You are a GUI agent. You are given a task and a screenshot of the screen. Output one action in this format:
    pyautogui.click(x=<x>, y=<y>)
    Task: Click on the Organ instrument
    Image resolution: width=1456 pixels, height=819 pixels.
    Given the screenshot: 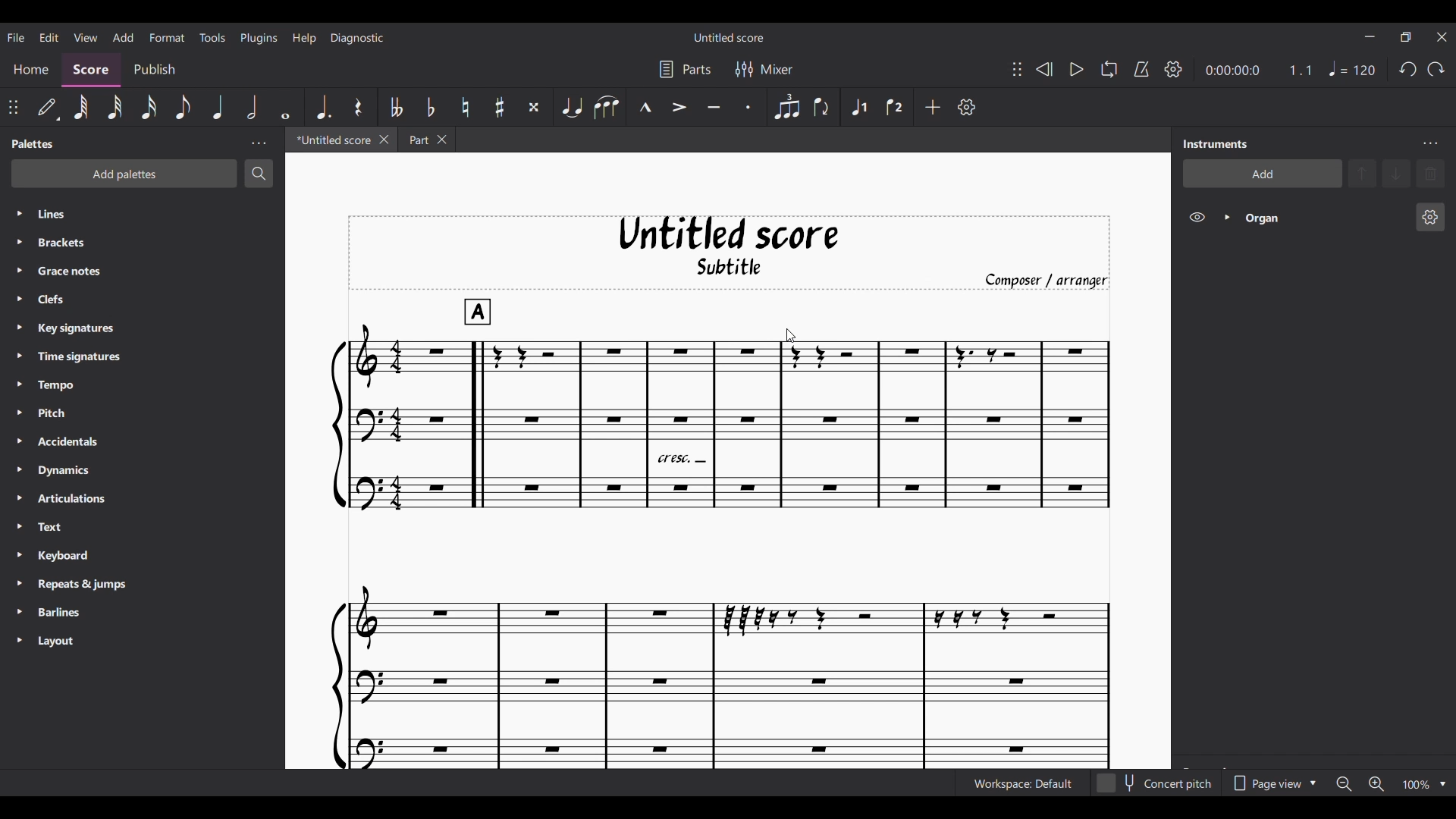 What is the action you would take?
    pyautogui.click(x=1323, y=218)
    